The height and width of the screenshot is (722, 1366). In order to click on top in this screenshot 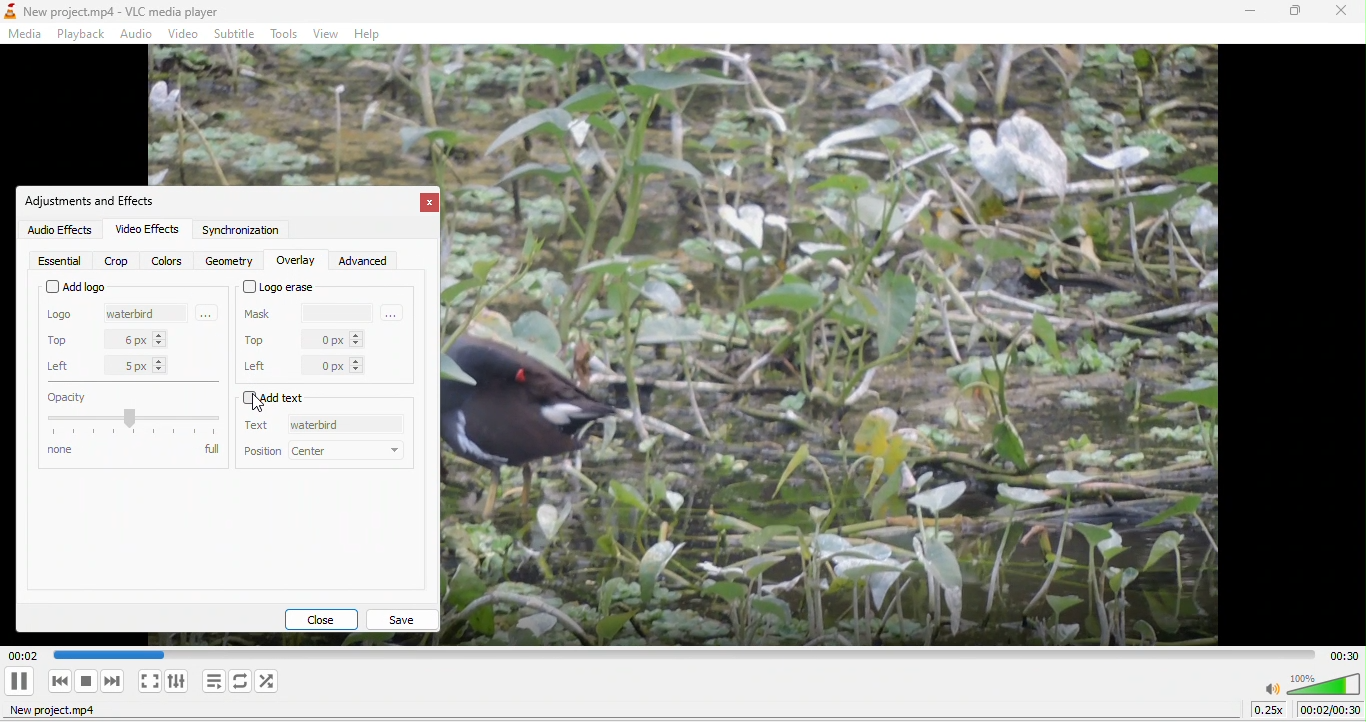, I will do `click(257, 340)`.